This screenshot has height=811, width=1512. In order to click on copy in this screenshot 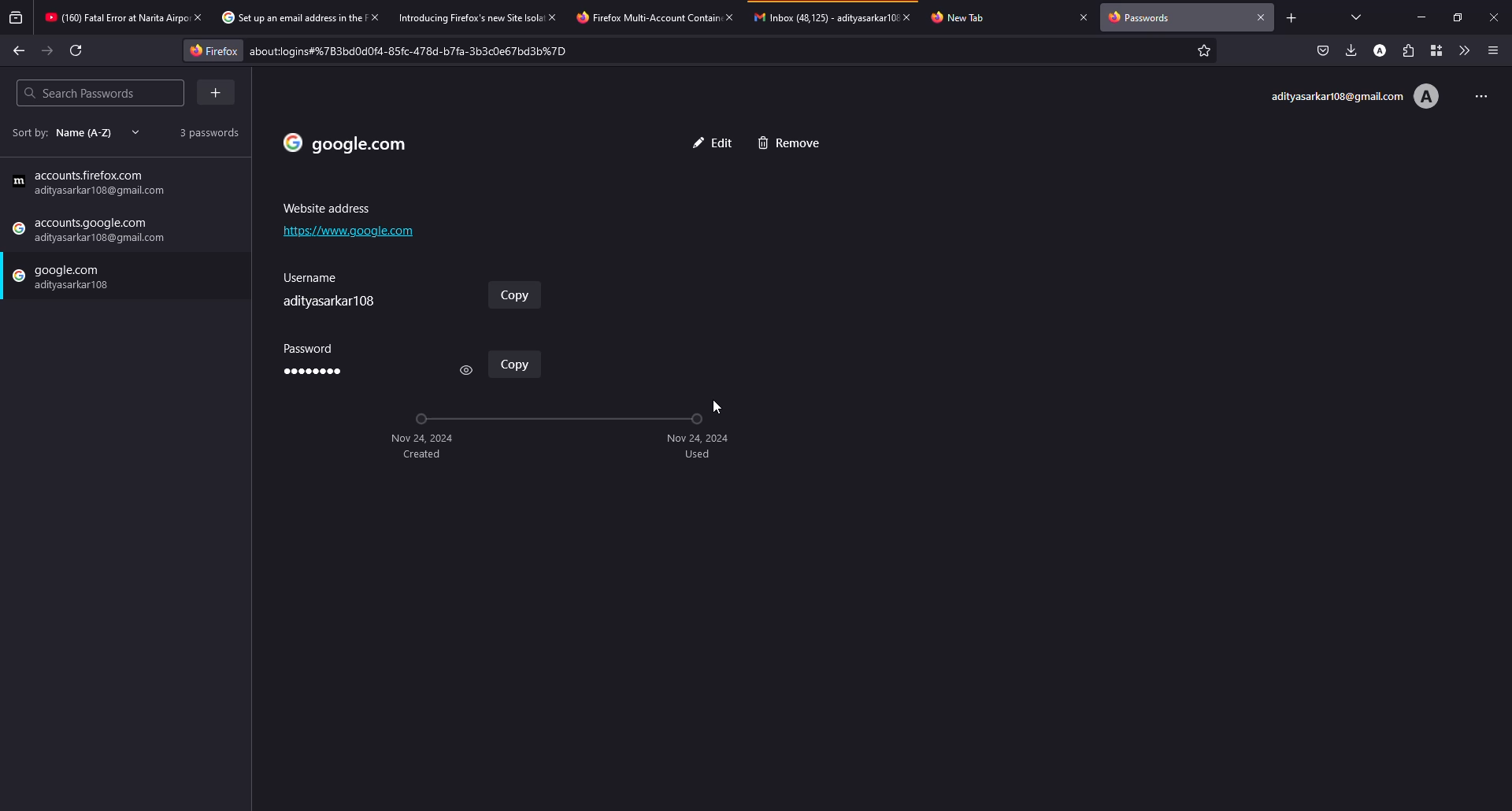, I will do `click(513, 366)`.